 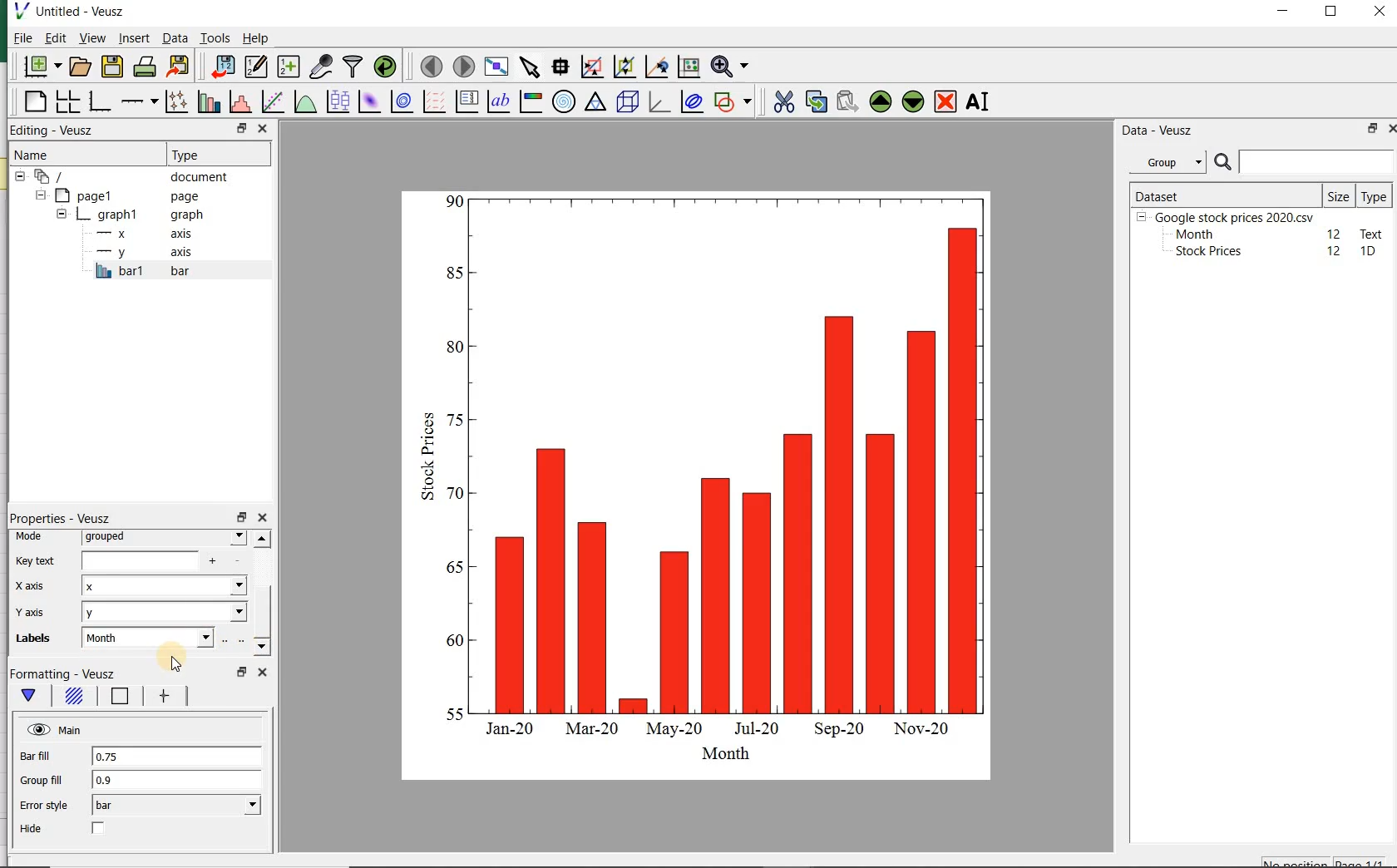 I want to click on create new datasets, so click(x=289, y=67).